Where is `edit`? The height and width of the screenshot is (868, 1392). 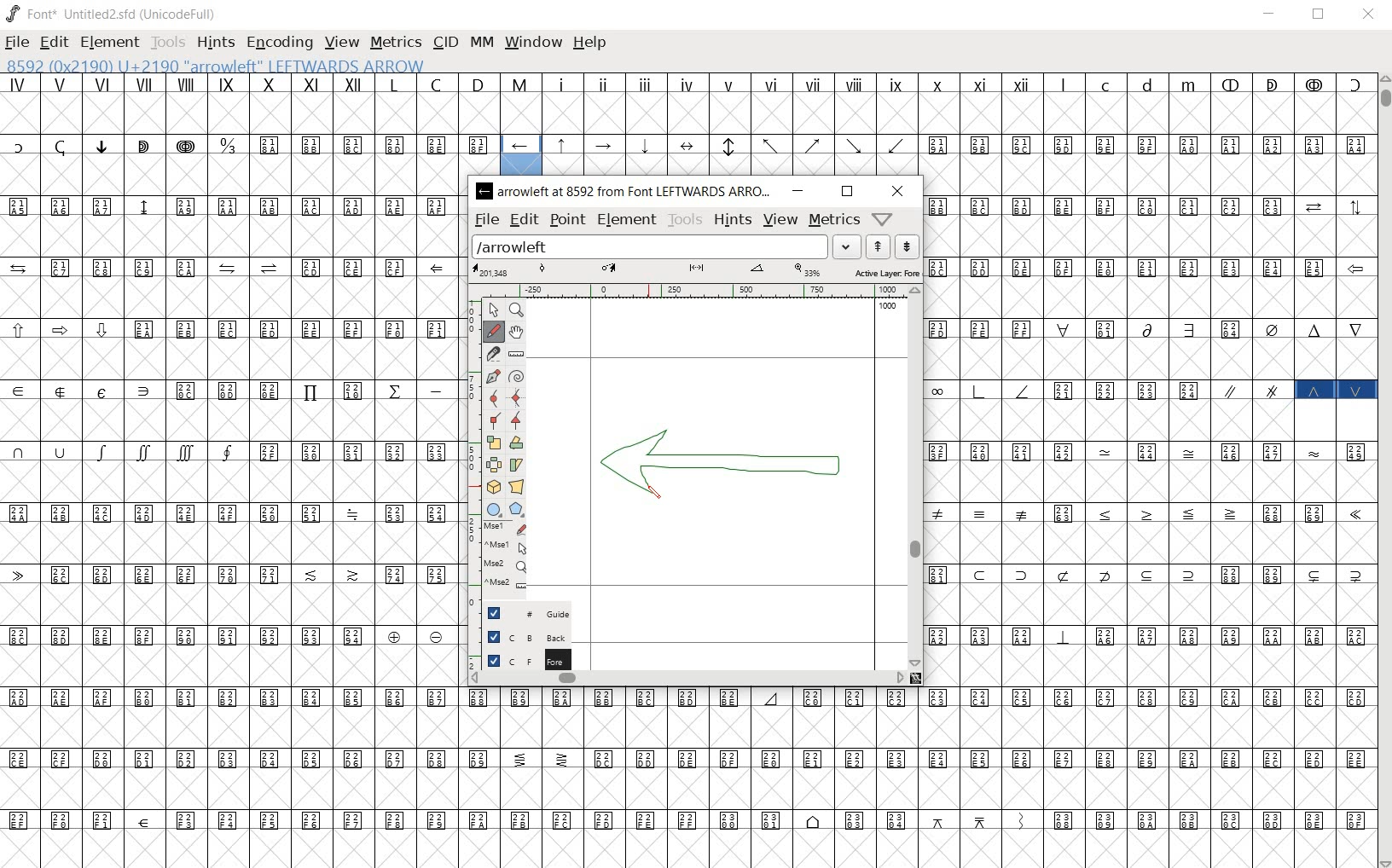 edit is located at coordinates (53, 43).